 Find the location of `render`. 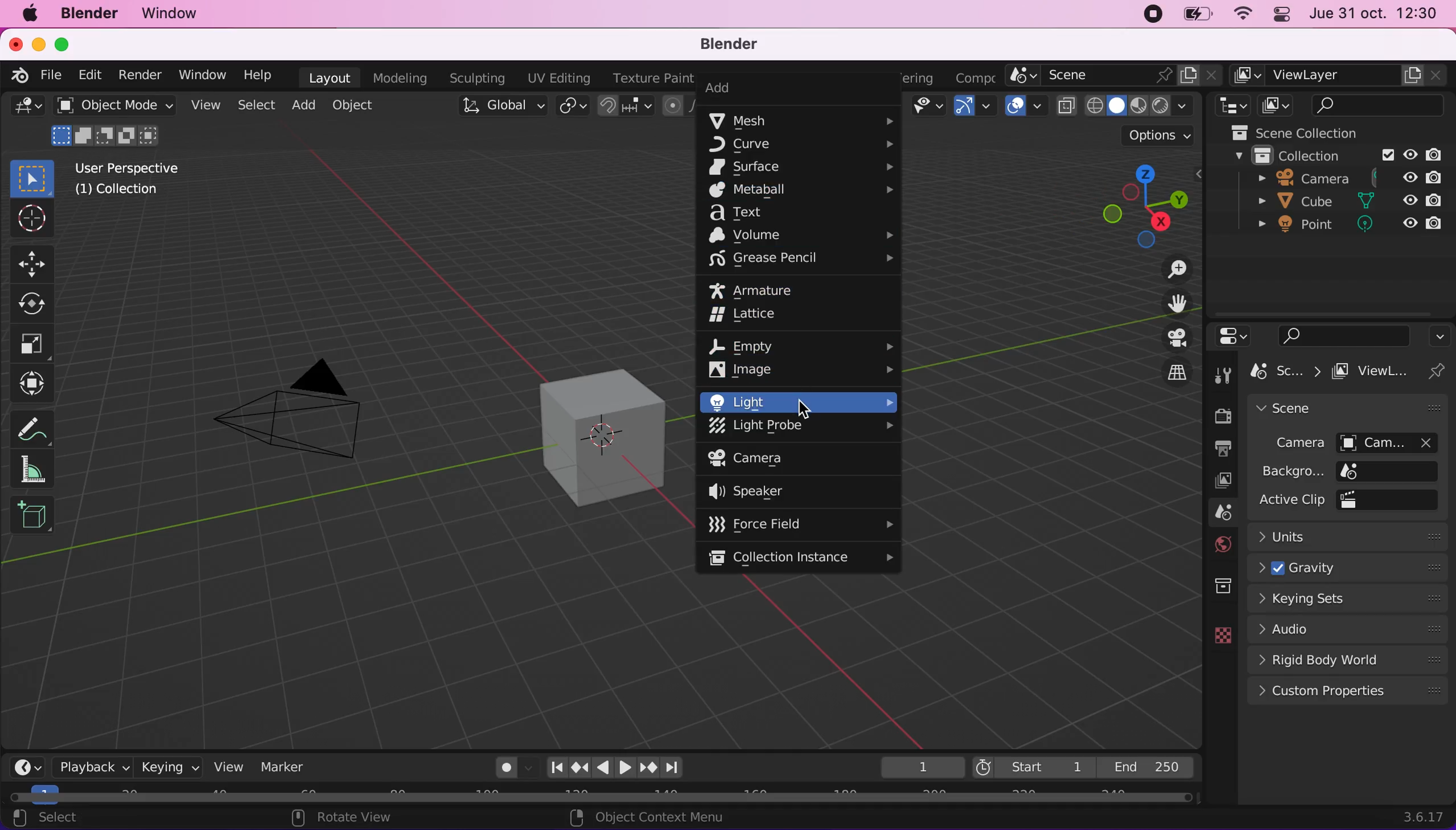

render is located at coordinates (1218, 415).